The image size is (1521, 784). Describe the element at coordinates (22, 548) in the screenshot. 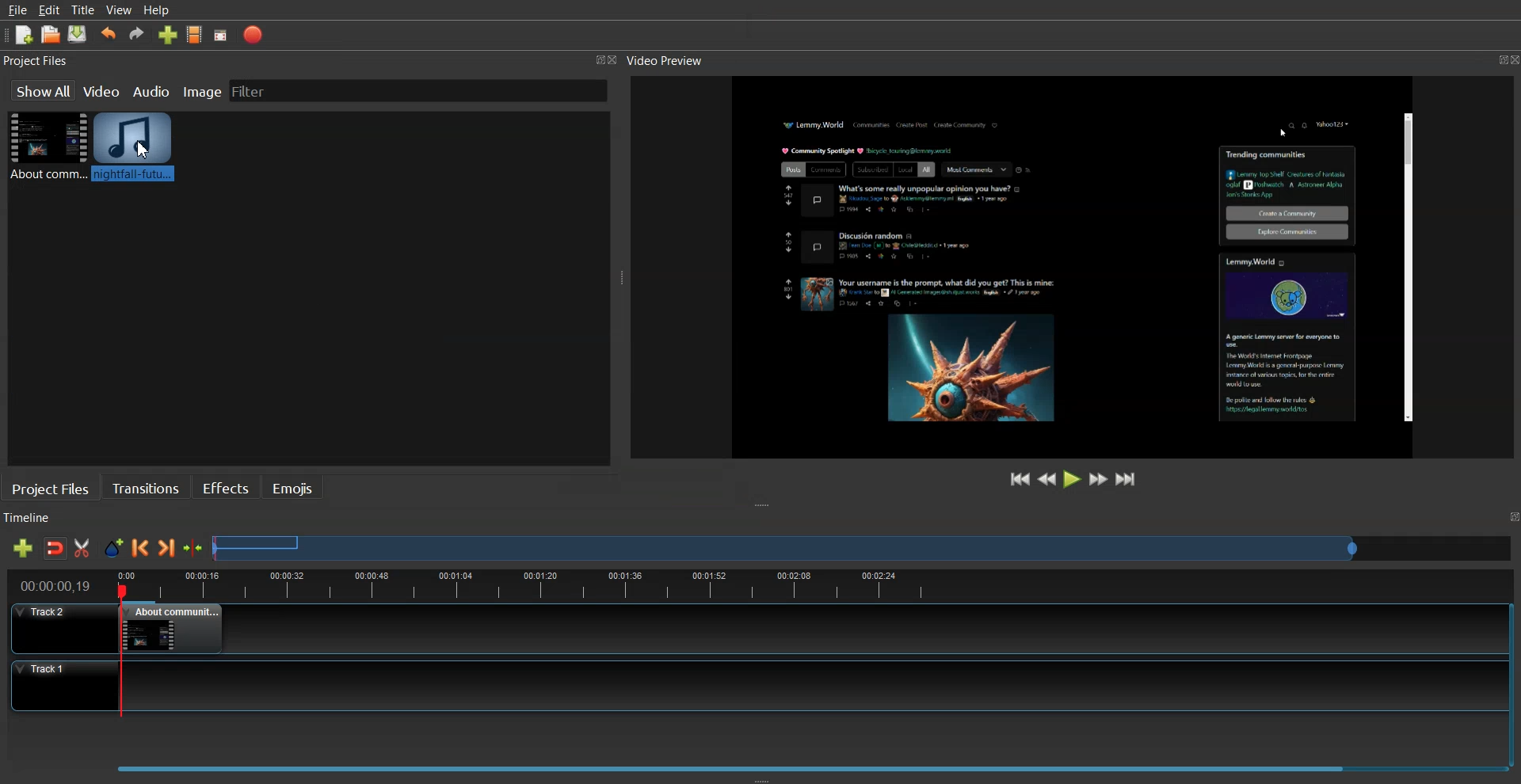

I see `Add track` at that location.